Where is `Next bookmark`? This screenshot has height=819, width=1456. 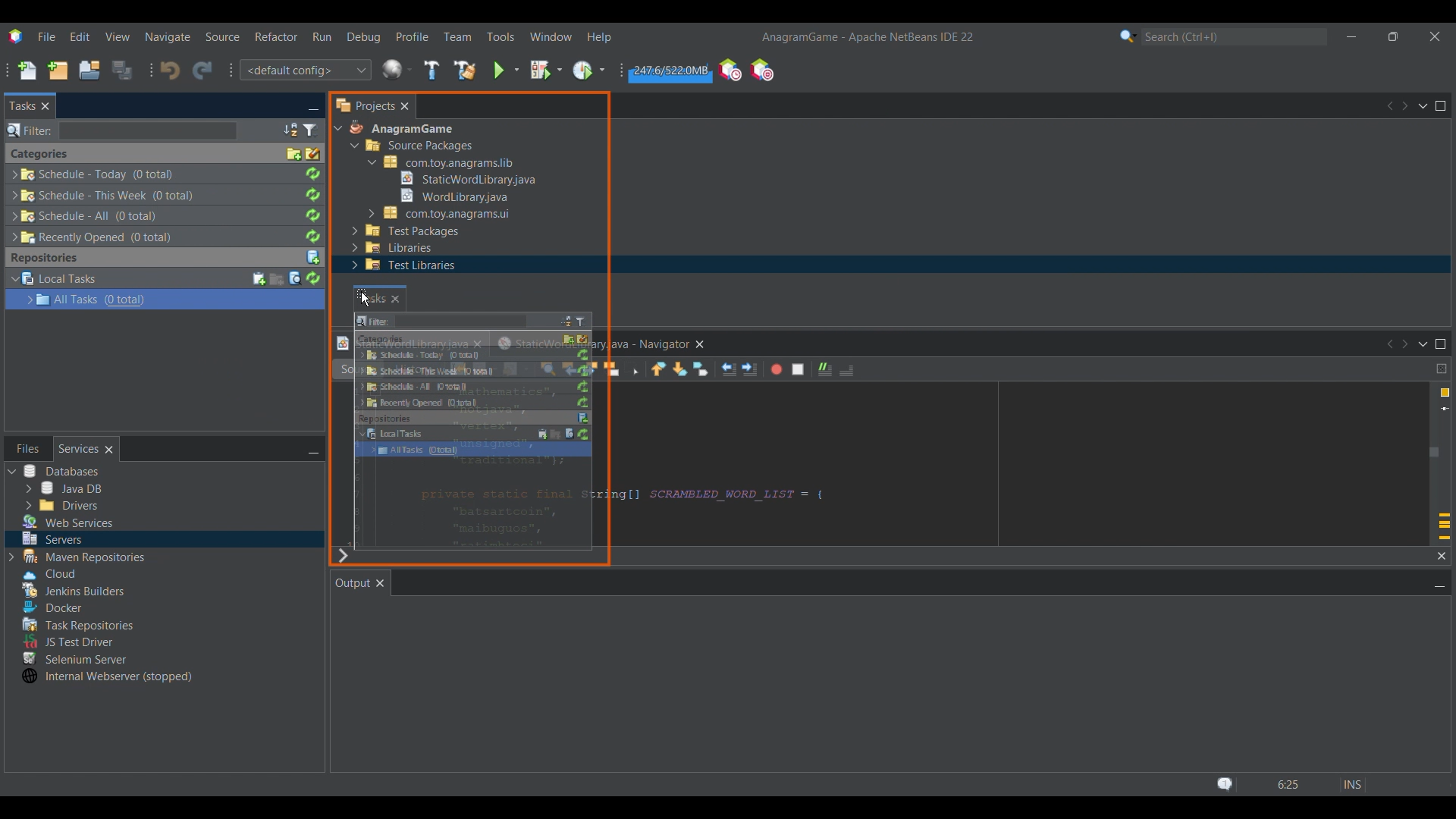
Next bookmark is located at coordinates (681, 369).